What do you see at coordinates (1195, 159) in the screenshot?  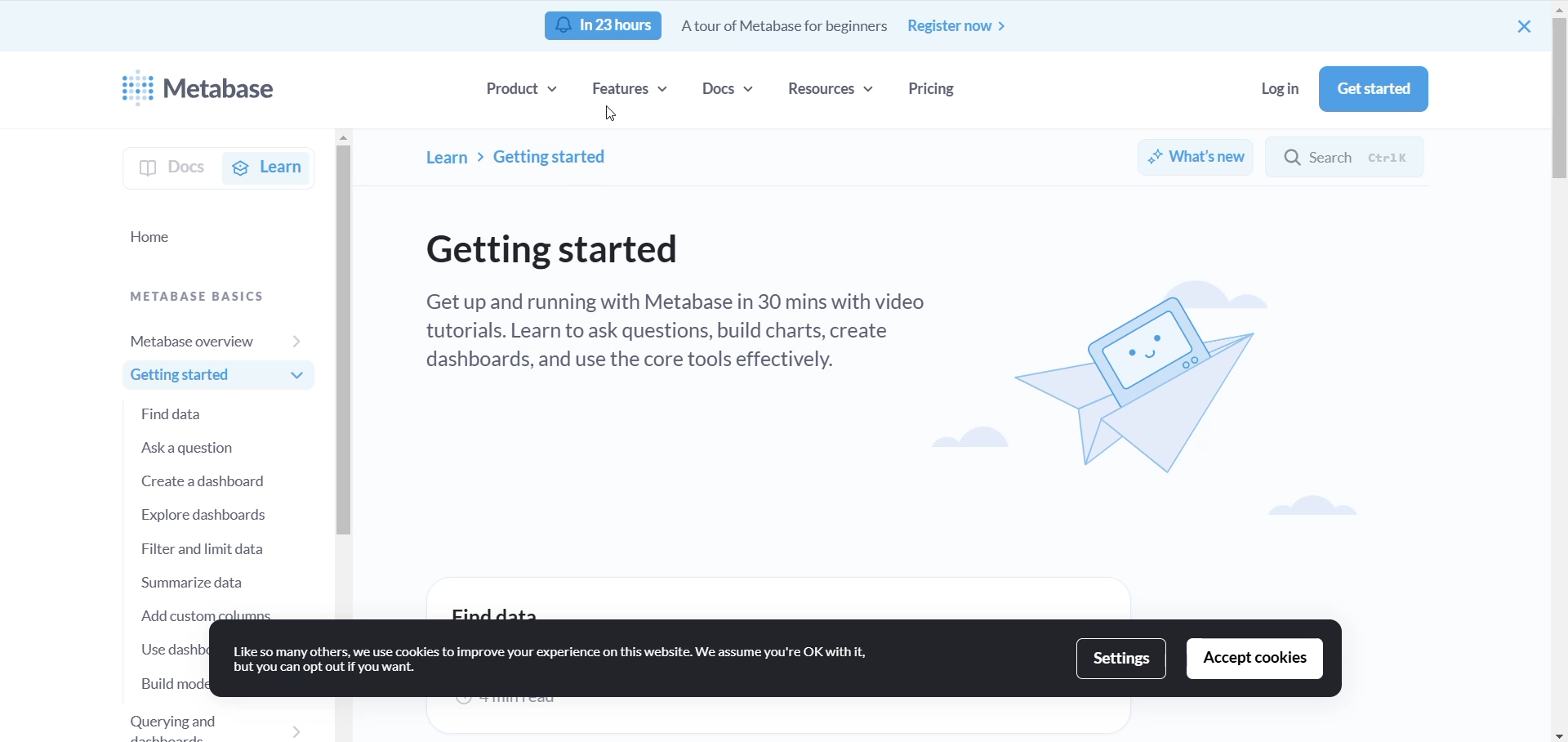 I see `whats new` at bounding box center [1195, 159].